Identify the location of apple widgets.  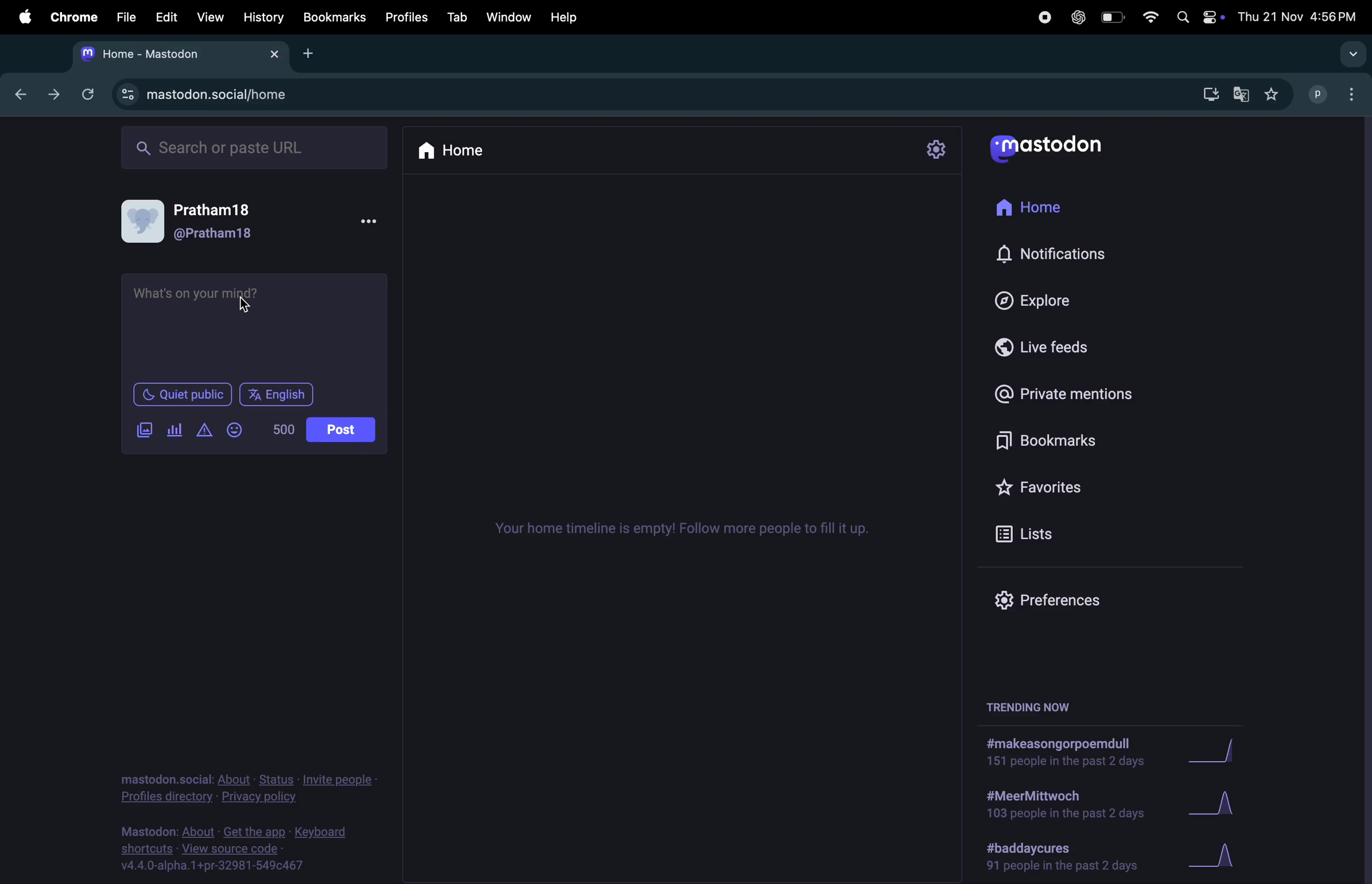
(1213, 17).